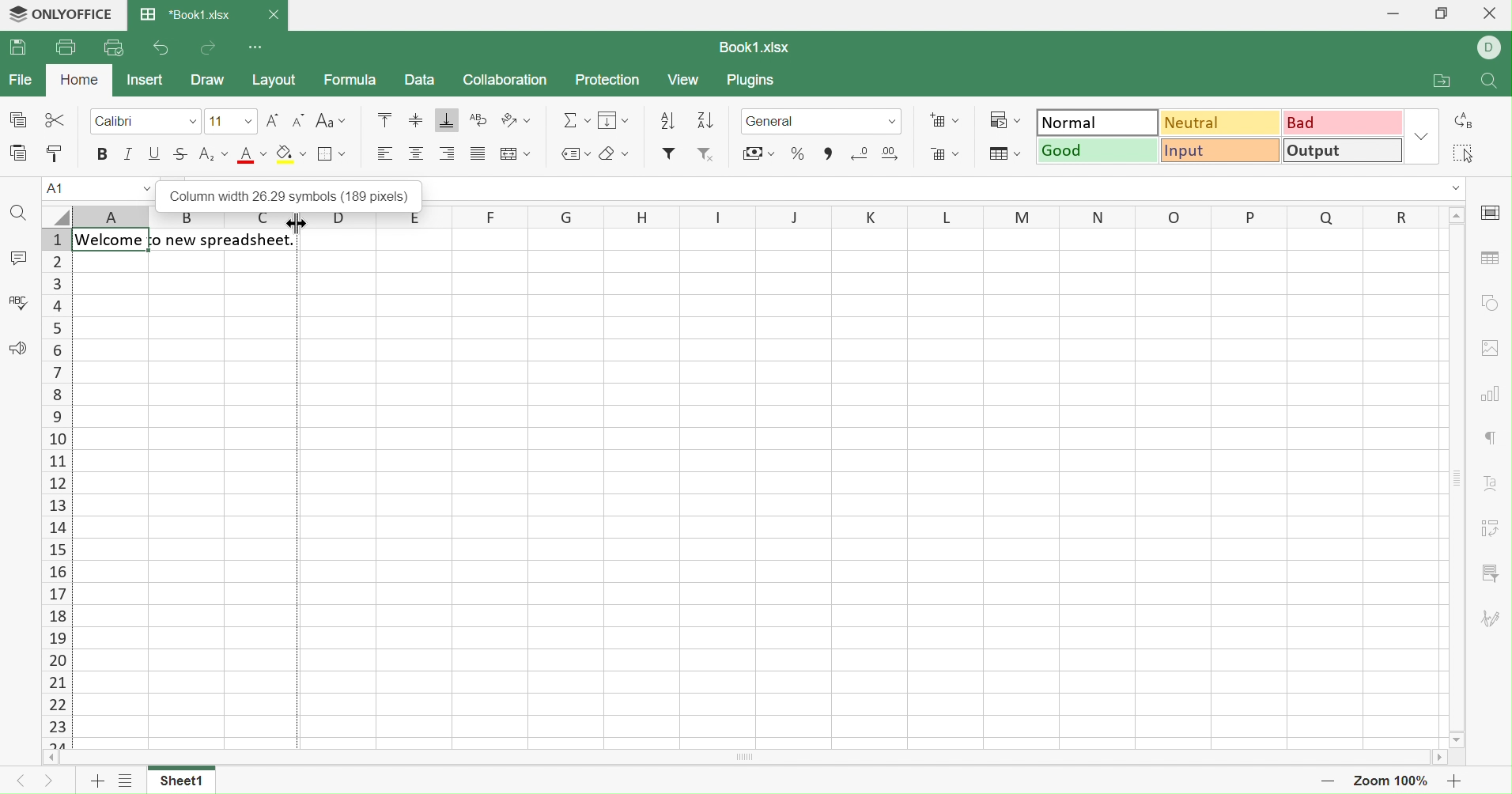  What do you see at coordinates (615, 119) in the screenshot?
I see `Fill` at bounding box center [615, 119].